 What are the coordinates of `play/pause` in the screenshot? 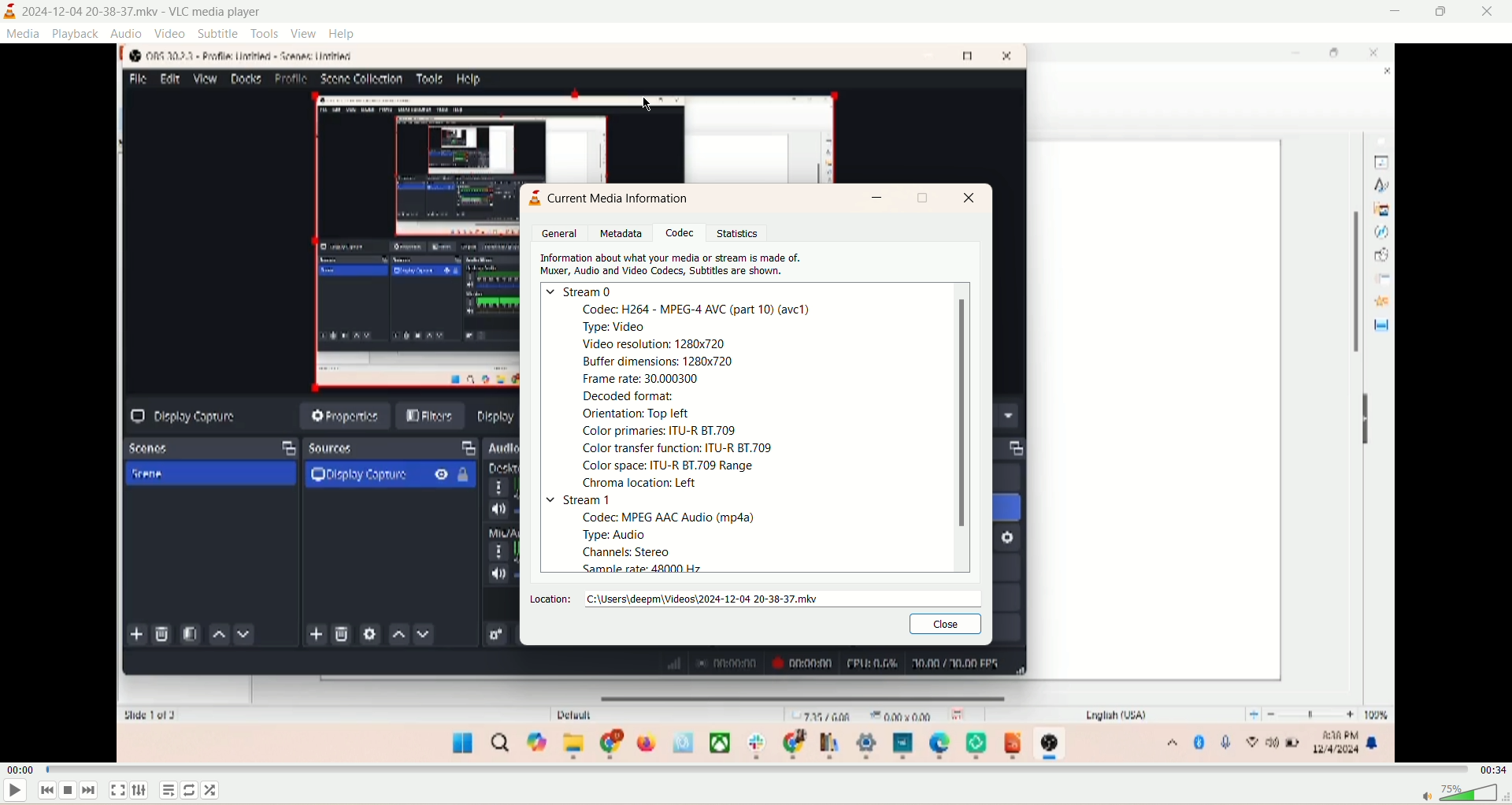 It's located at (13, 792).